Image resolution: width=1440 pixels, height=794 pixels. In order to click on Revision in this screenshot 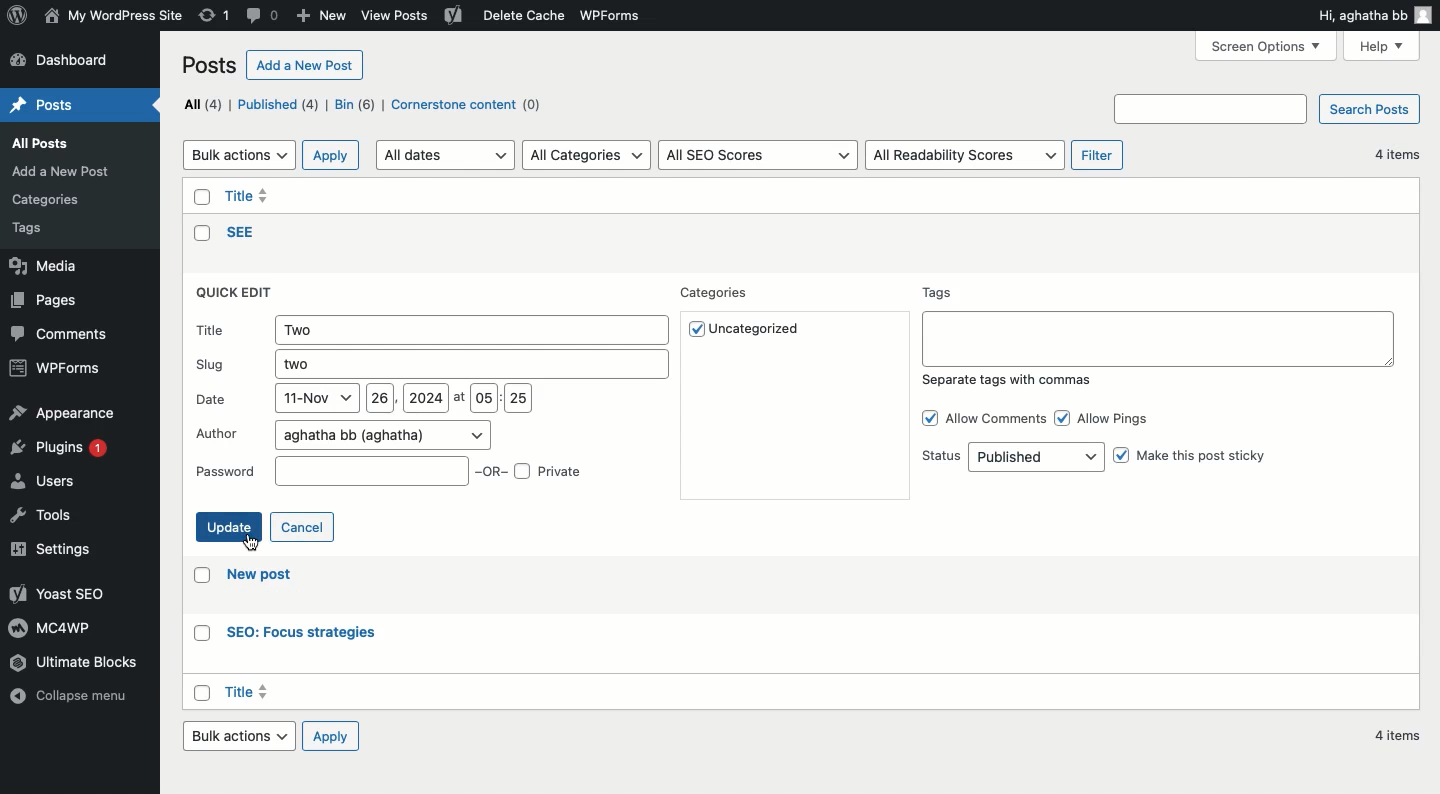, I will do `click(215, 17)`.